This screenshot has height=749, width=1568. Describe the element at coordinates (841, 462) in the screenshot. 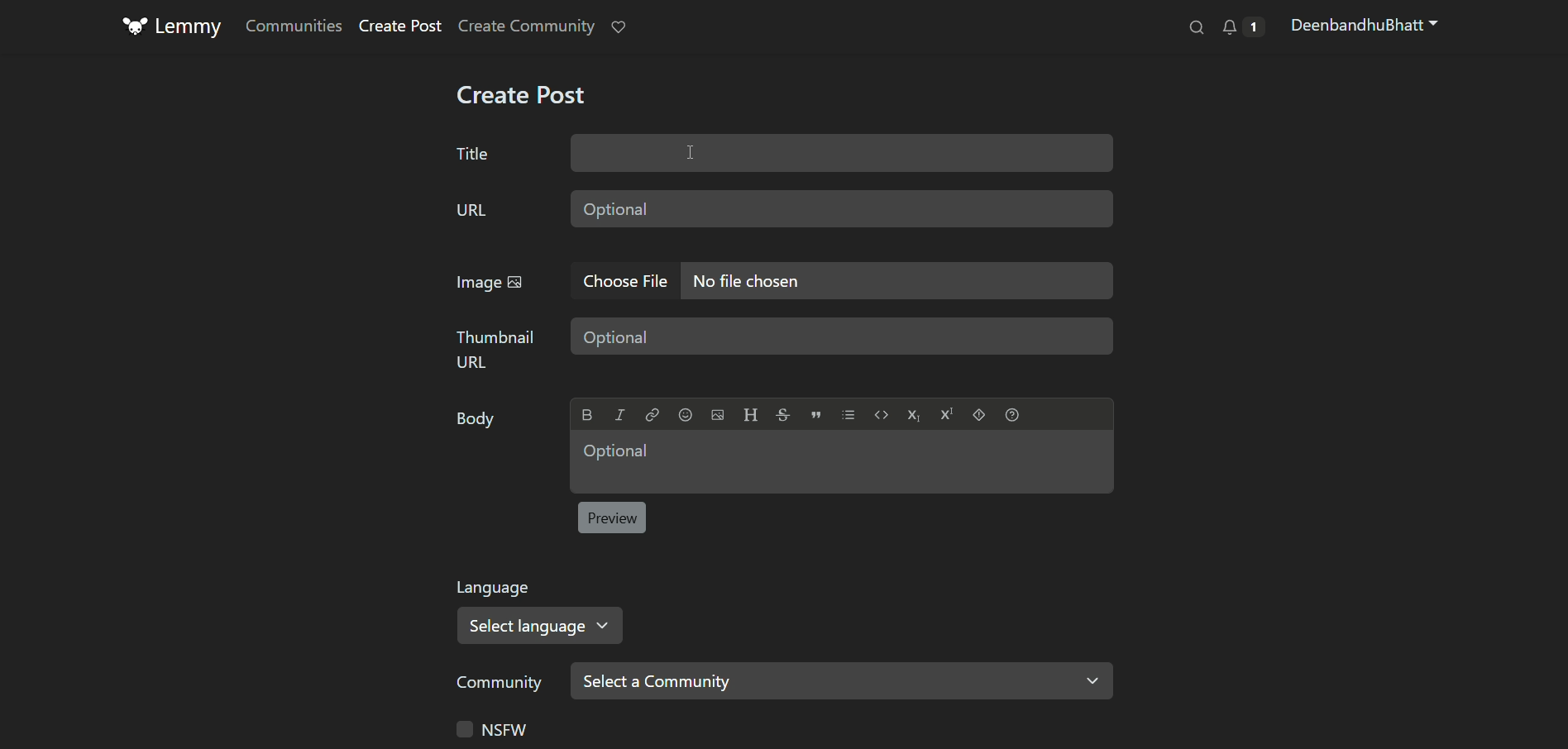

I see `text box` at that location.